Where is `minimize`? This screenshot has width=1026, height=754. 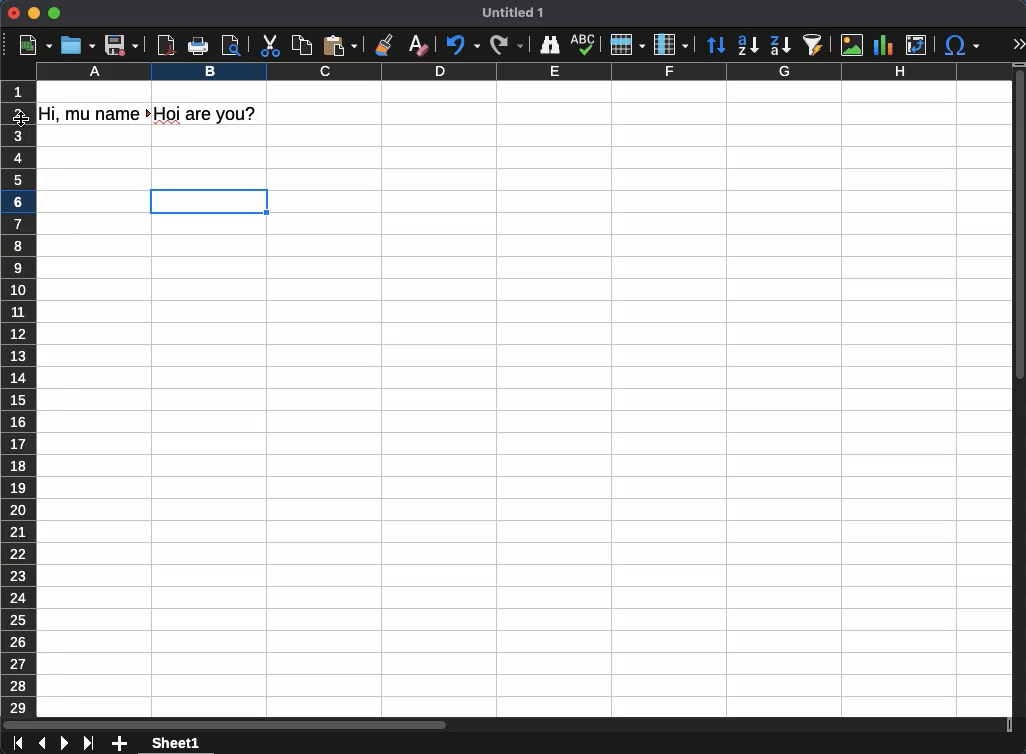 minimize is located at coordinates (33, 13).